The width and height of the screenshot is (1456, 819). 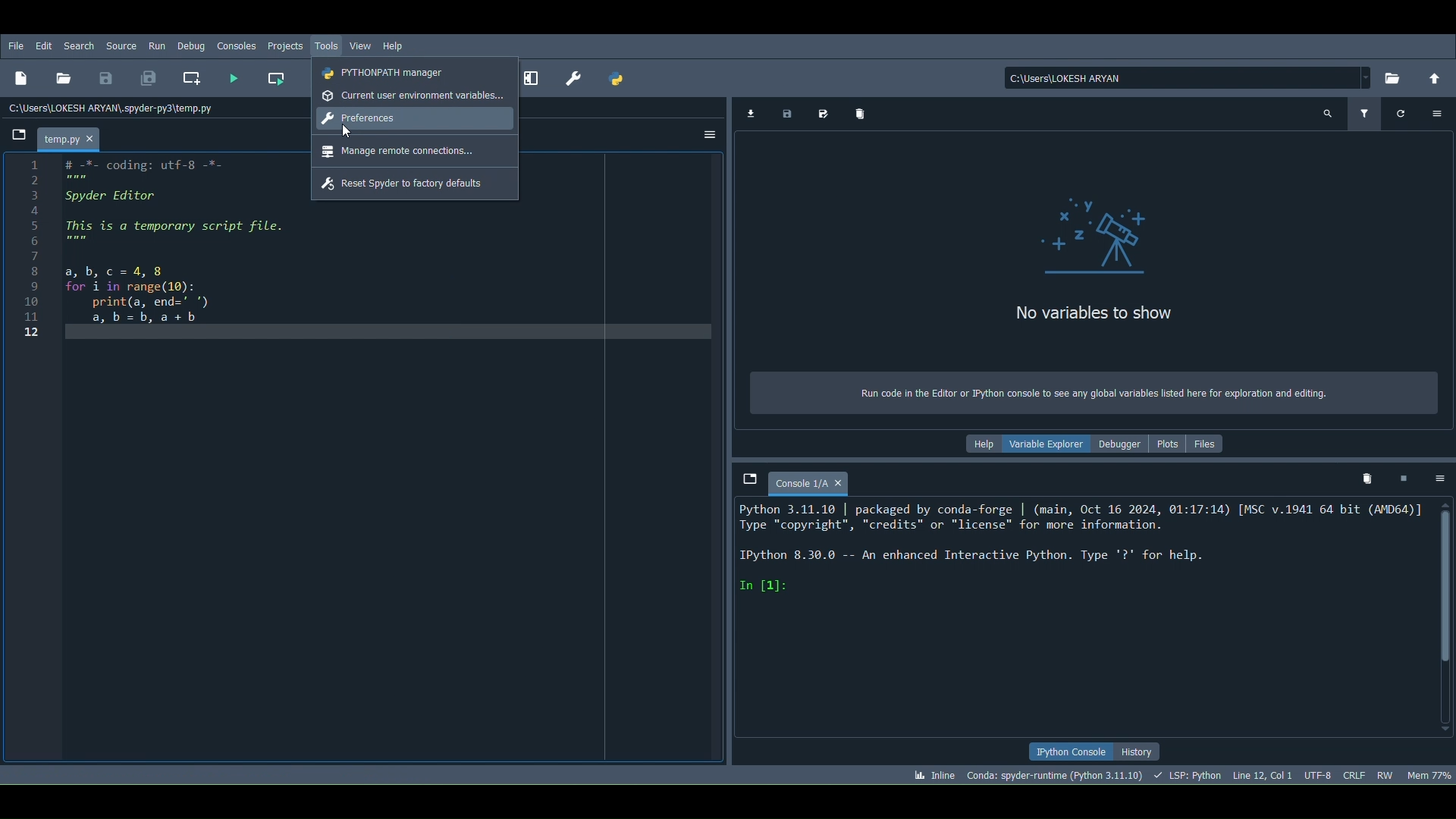 I want to click on PYTHONPATH manager, so click(x=617, y=79).